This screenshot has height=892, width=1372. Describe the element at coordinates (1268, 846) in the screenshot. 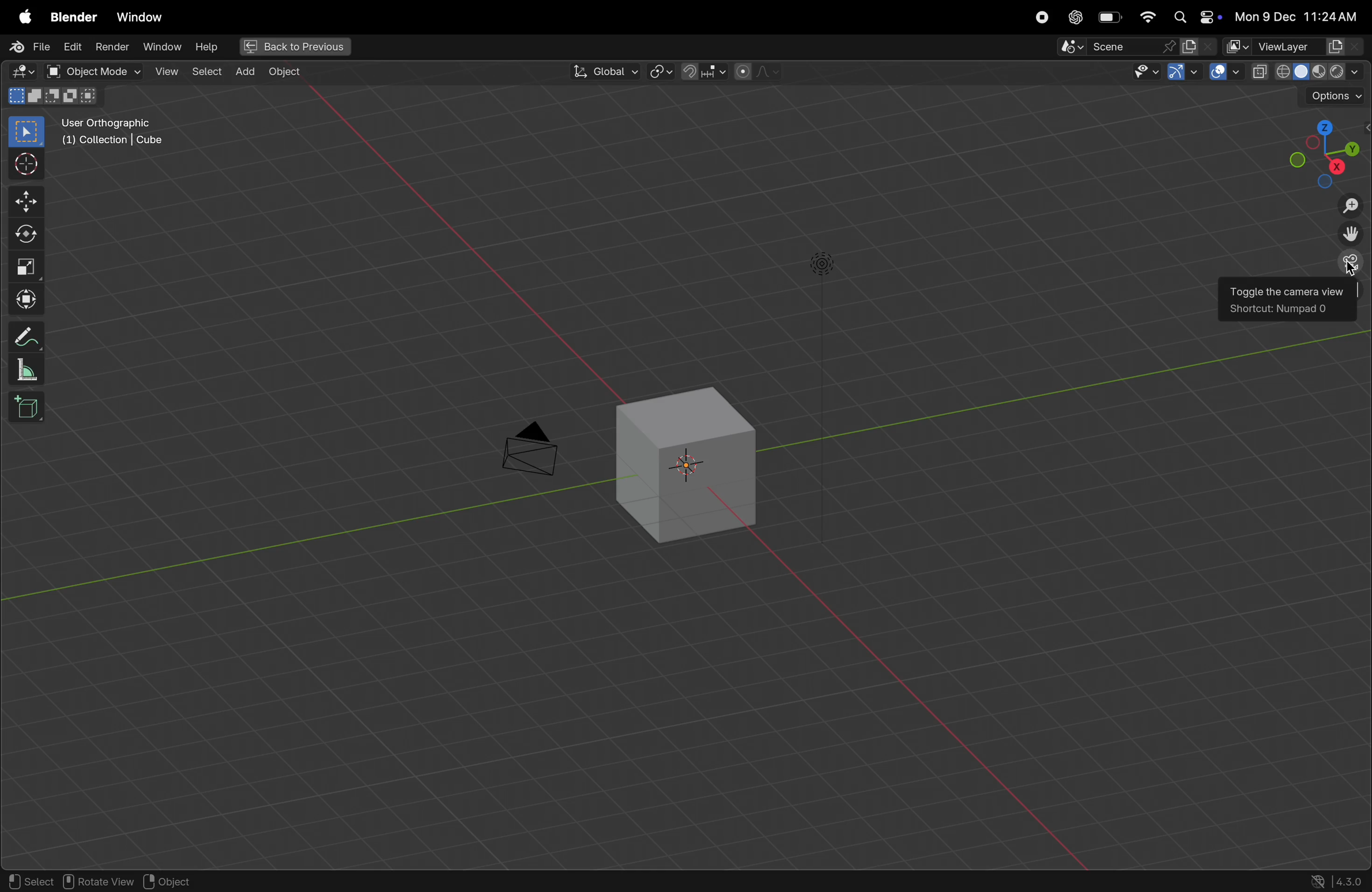

I see `version` at that location.